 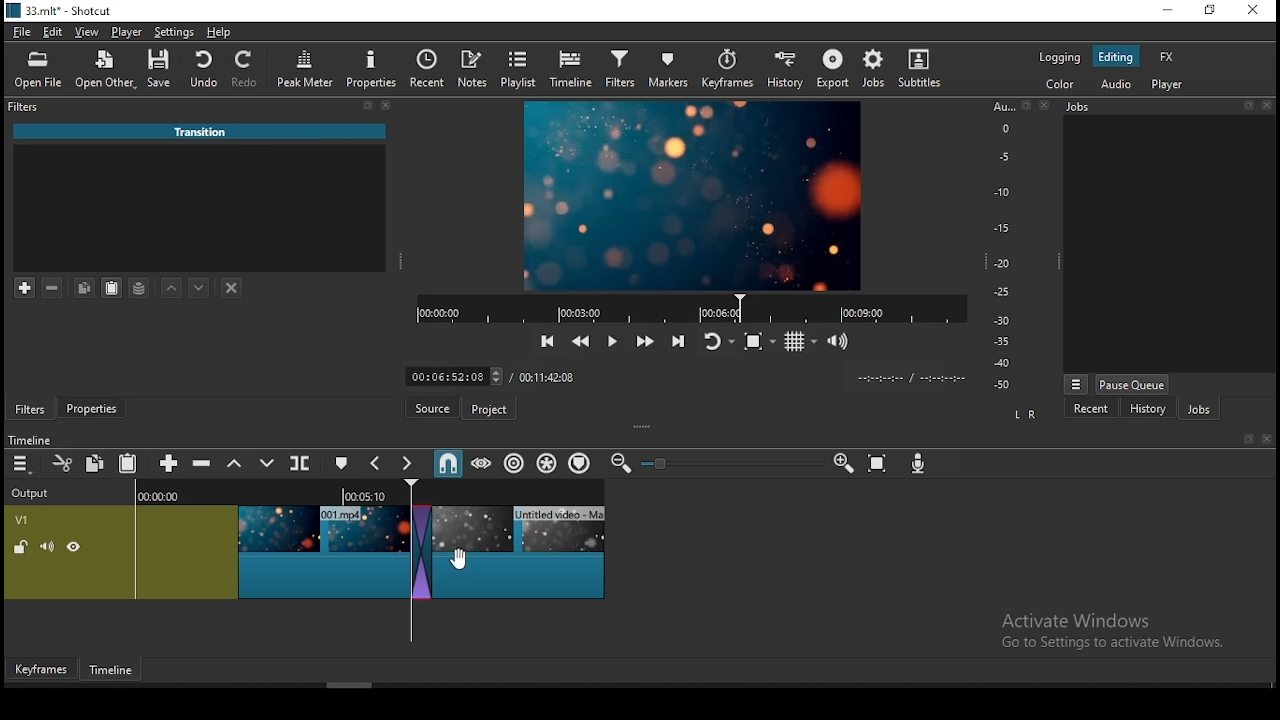 What do you see at coordinates (548, 342) in the screenshot?
I see `skip to previous point` at bounding box center [548, 342].